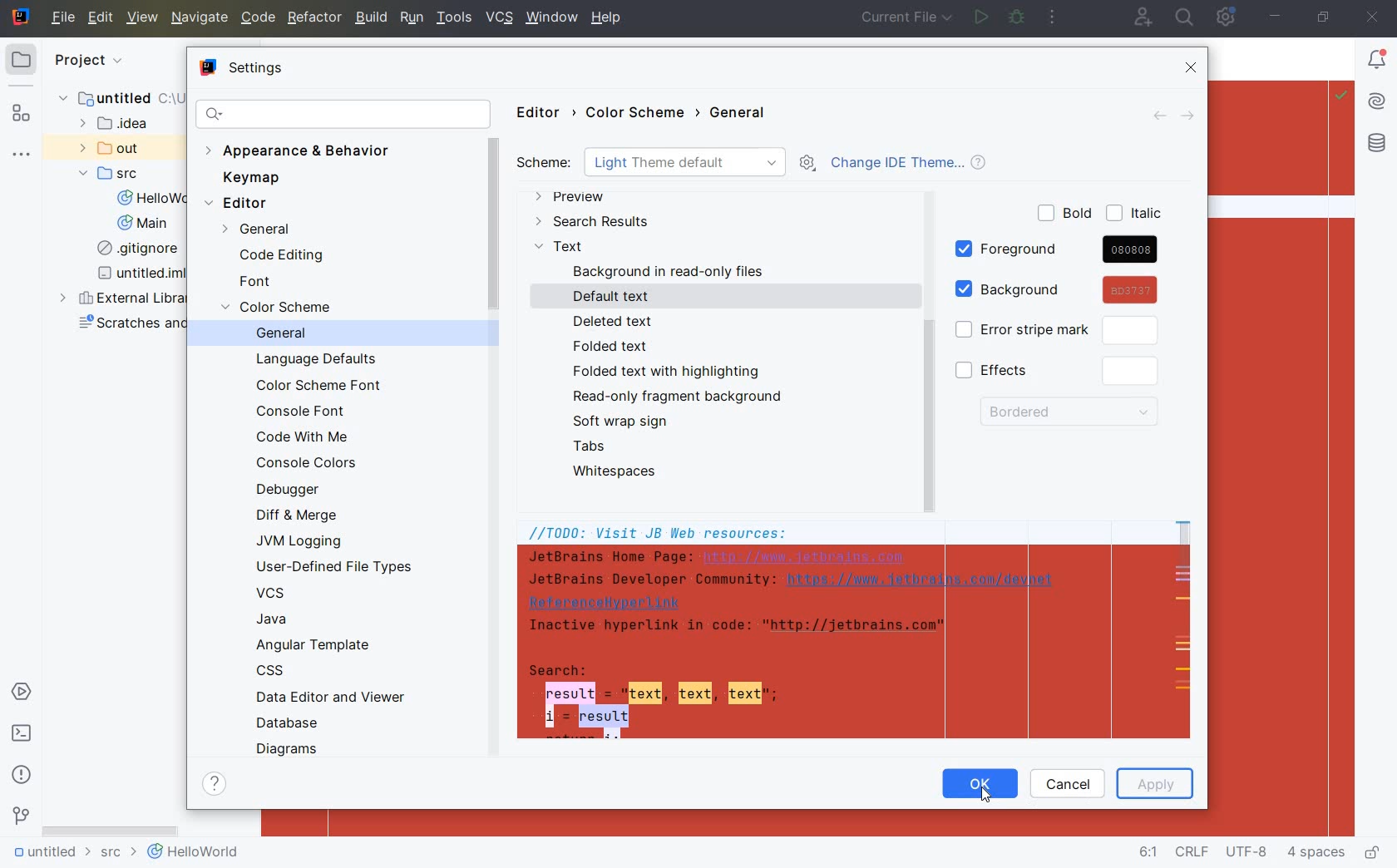  I want to click on project, so click(58, 59).